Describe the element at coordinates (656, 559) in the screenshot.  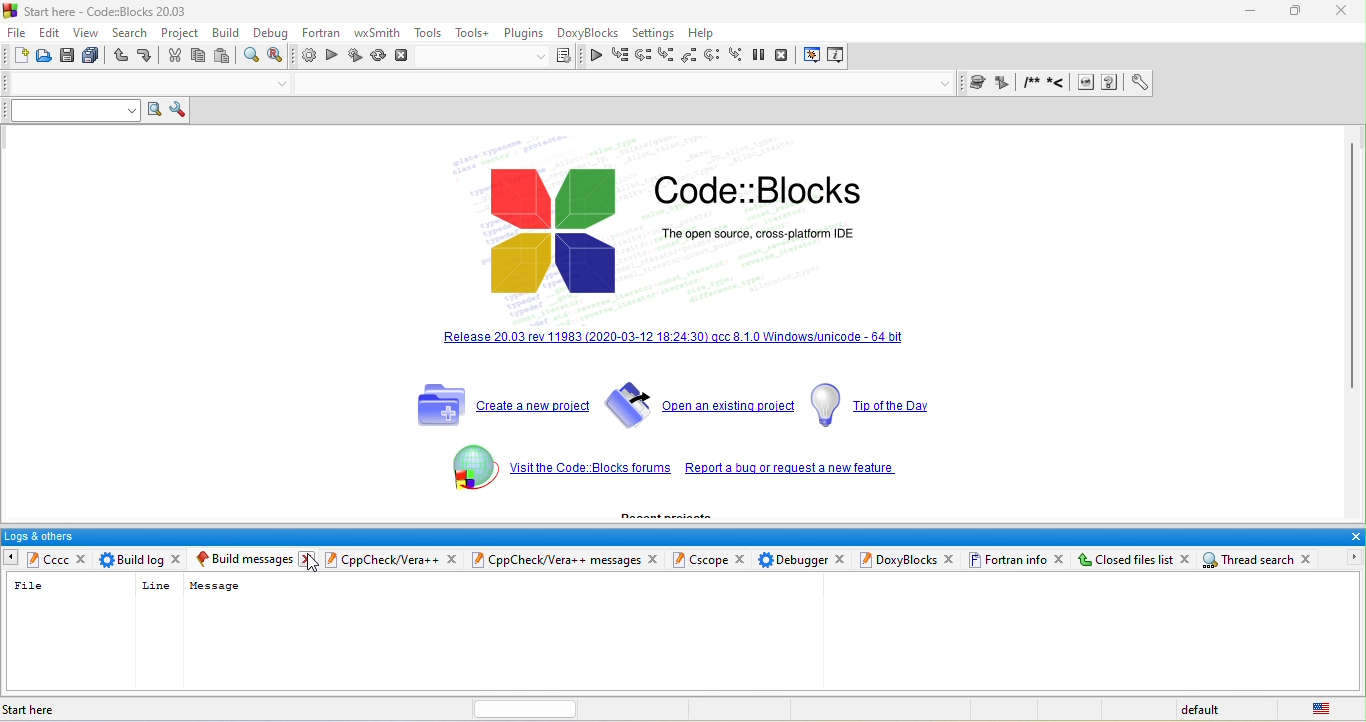
I see `close` at that location.